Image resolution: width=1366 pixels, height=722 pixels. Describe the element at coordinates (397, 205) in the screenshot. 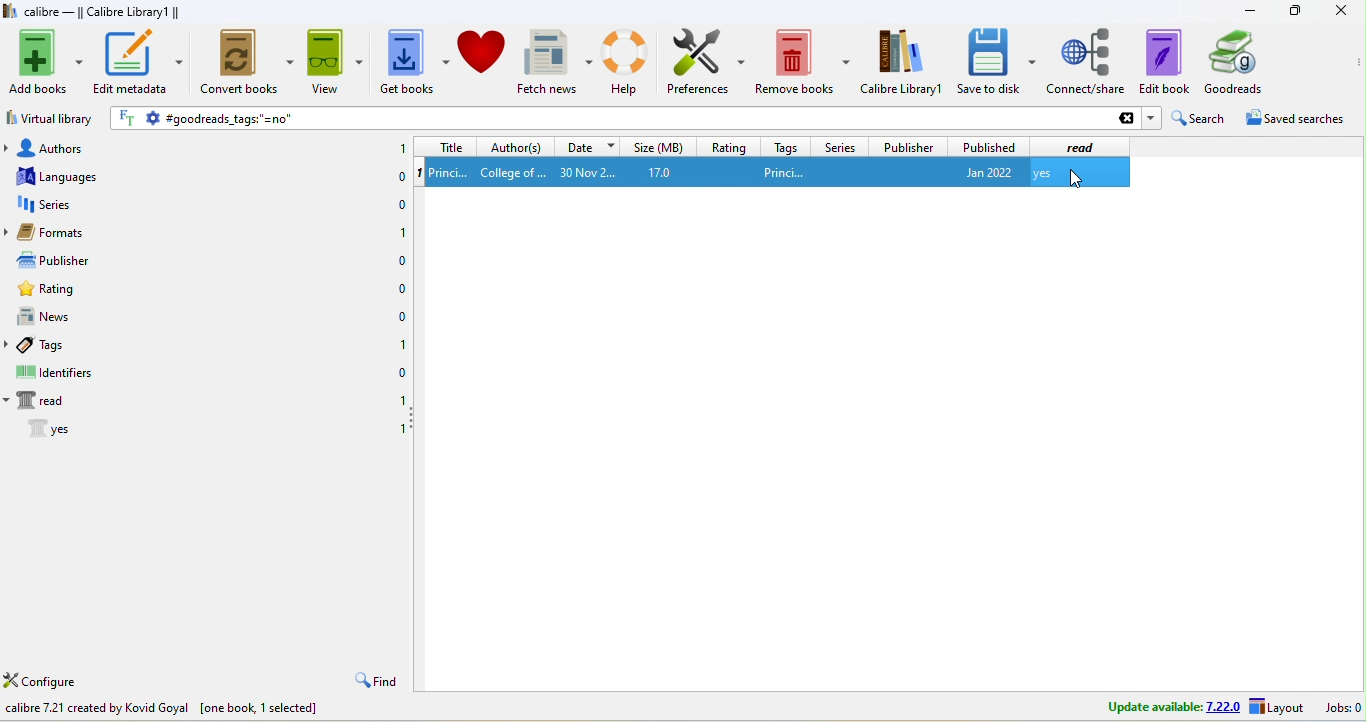

I see `0` at that location.